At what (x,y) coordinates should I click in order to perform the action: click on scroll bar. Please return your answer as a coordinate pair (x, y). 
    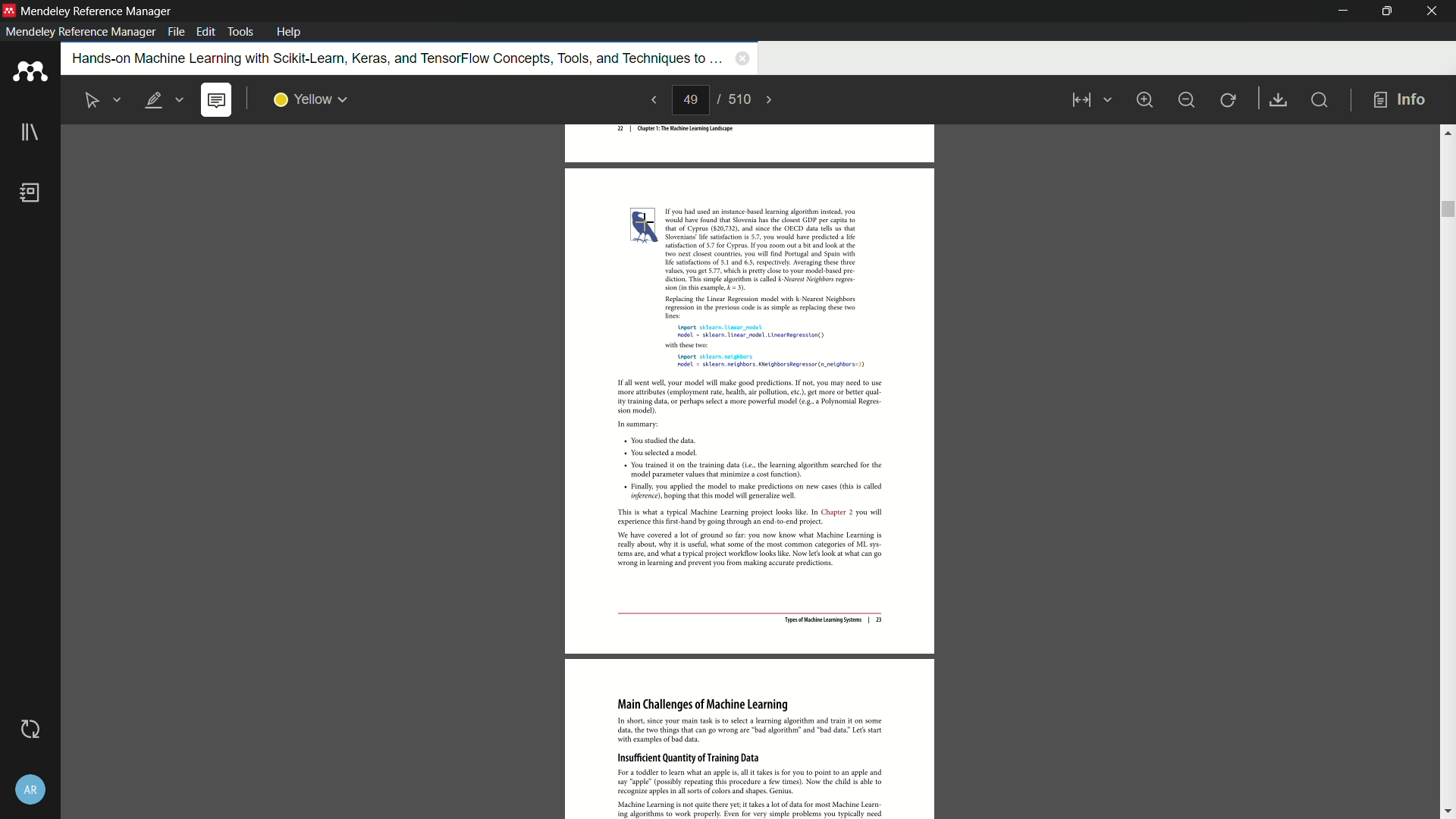
    Looking at the image, I should click on (1447, 469).